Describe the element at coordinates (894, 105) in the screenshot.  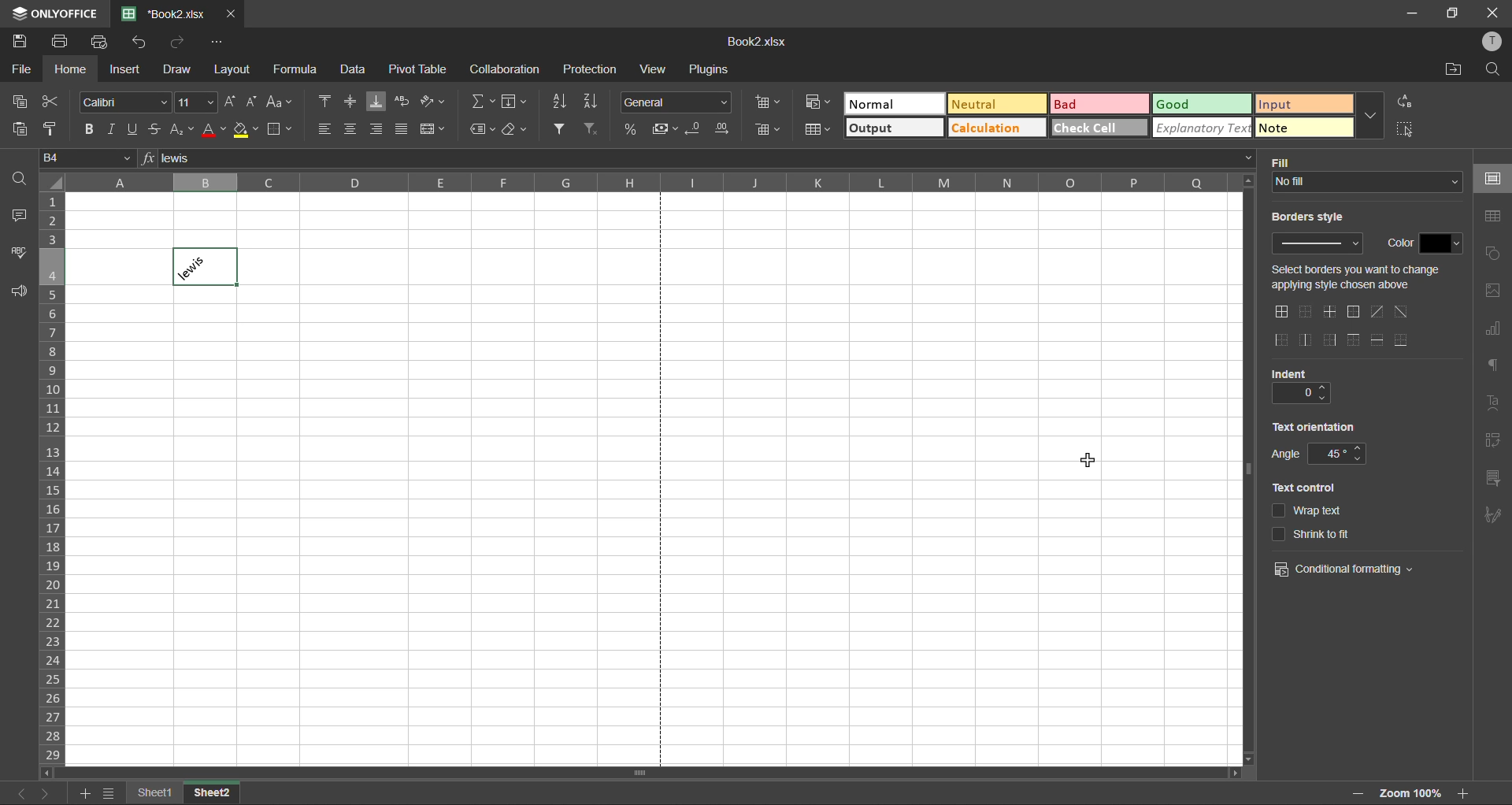
I see `normal` at that location.